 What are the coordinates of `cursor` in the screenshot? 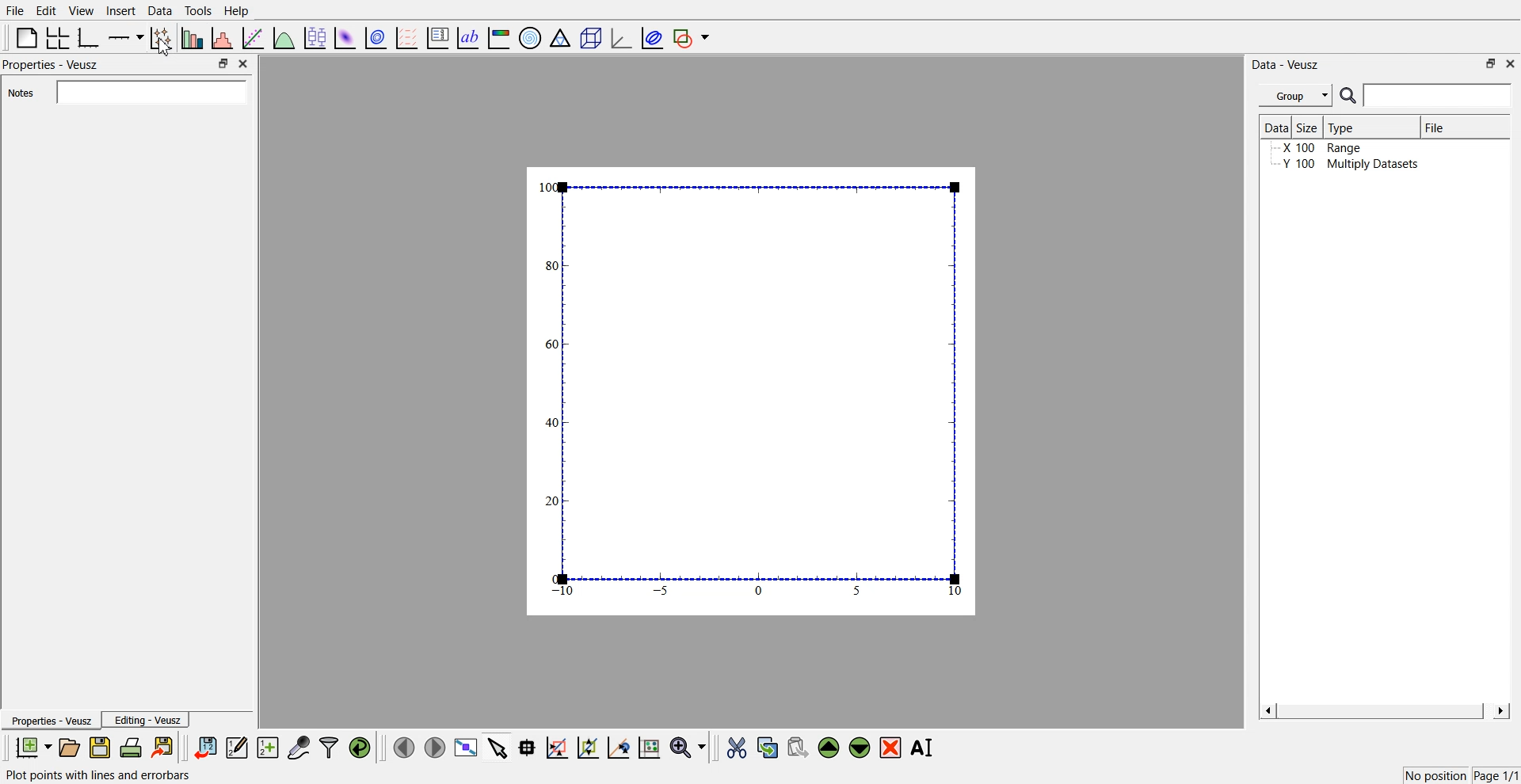 It's located at (164, 51).